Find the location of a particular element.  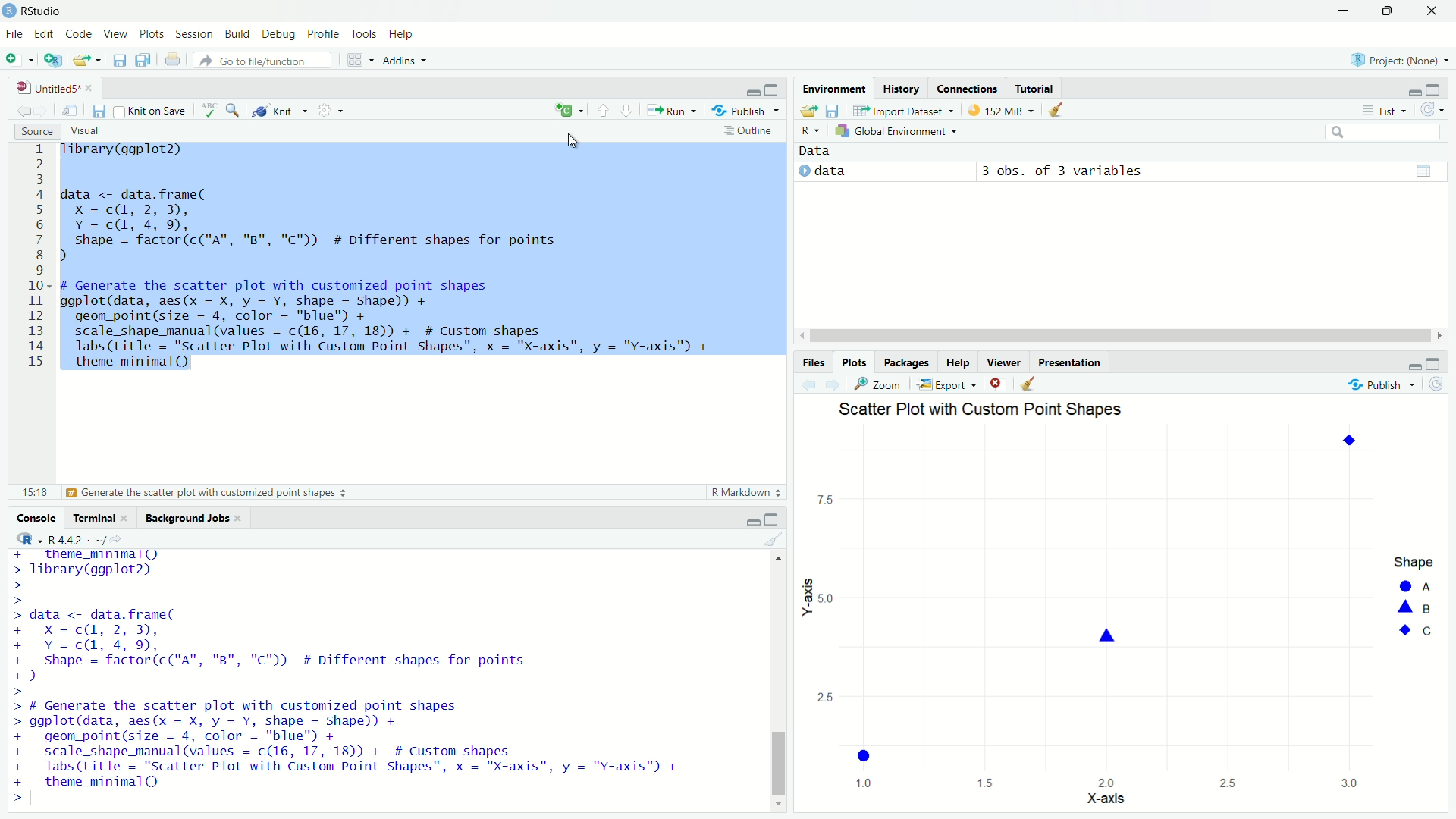

Build is located at coordinates (237, 33).